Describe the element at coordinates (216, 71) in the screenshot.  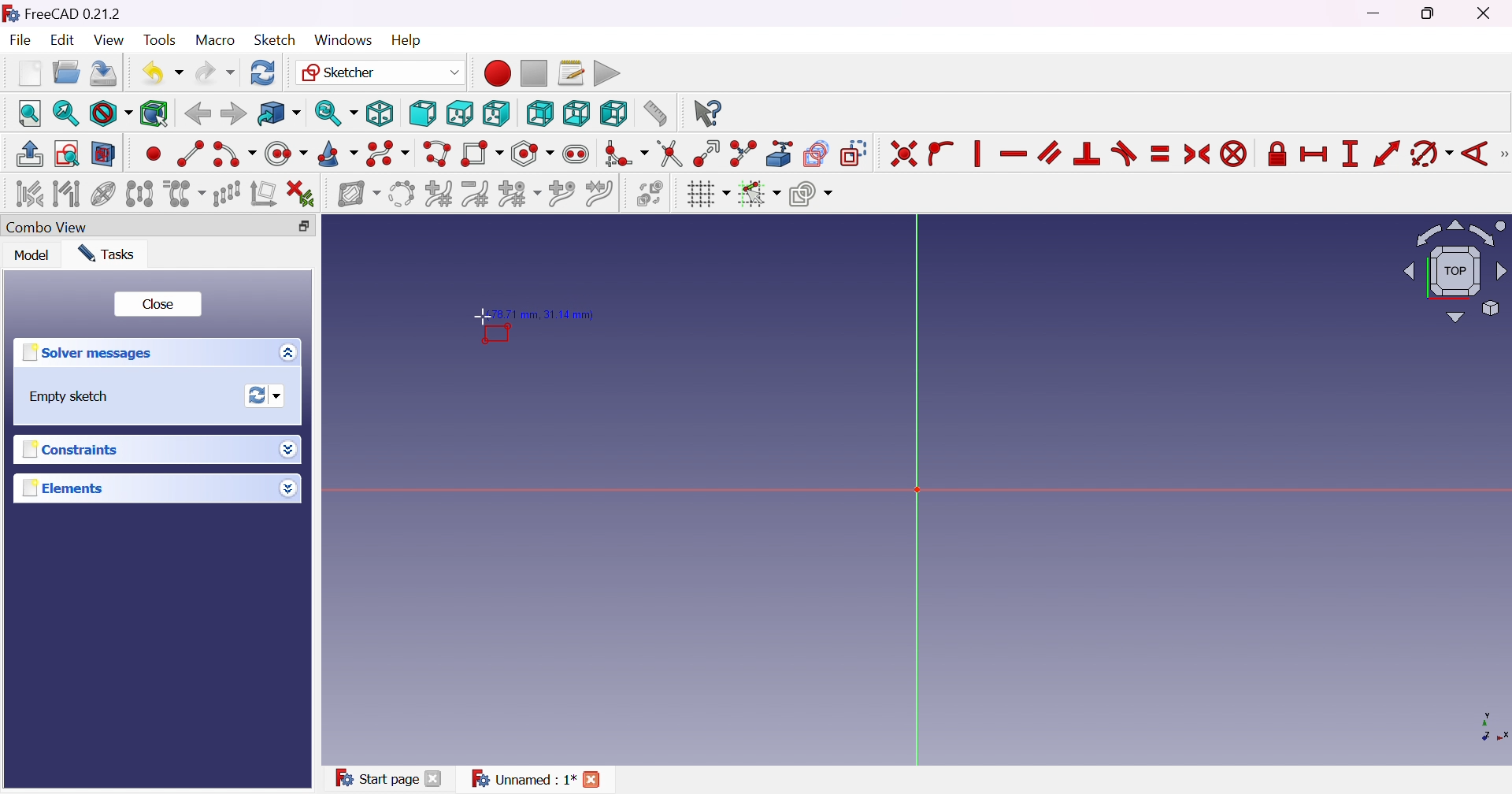
I see `Redo` at that location.